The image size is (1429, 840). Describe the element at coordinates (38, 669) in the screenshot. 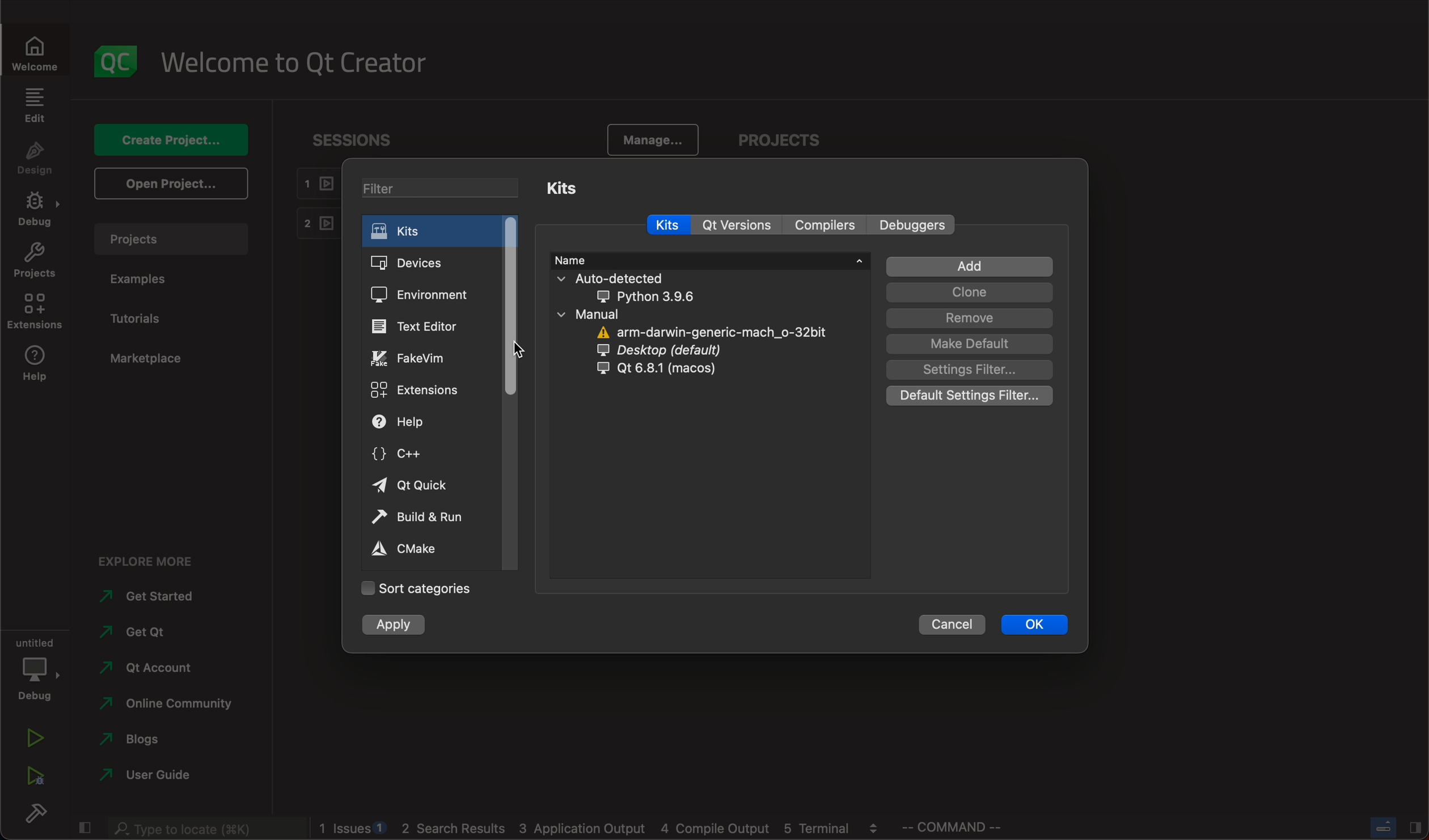

I see `debug` at that location.